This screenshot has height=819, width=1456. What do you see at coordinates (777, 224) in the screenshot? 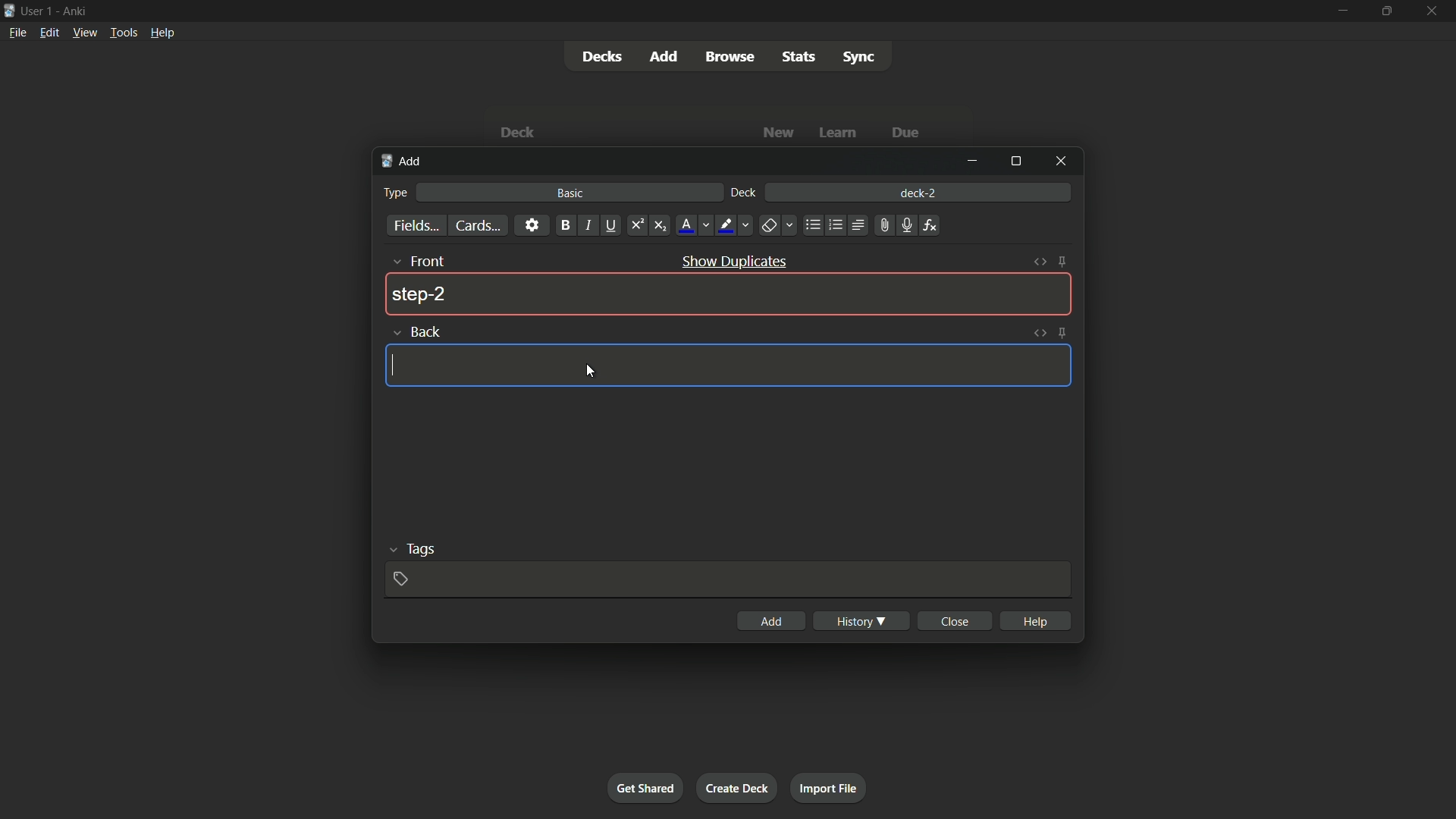
I see `remove formatting` at bounding box center [777, 224].